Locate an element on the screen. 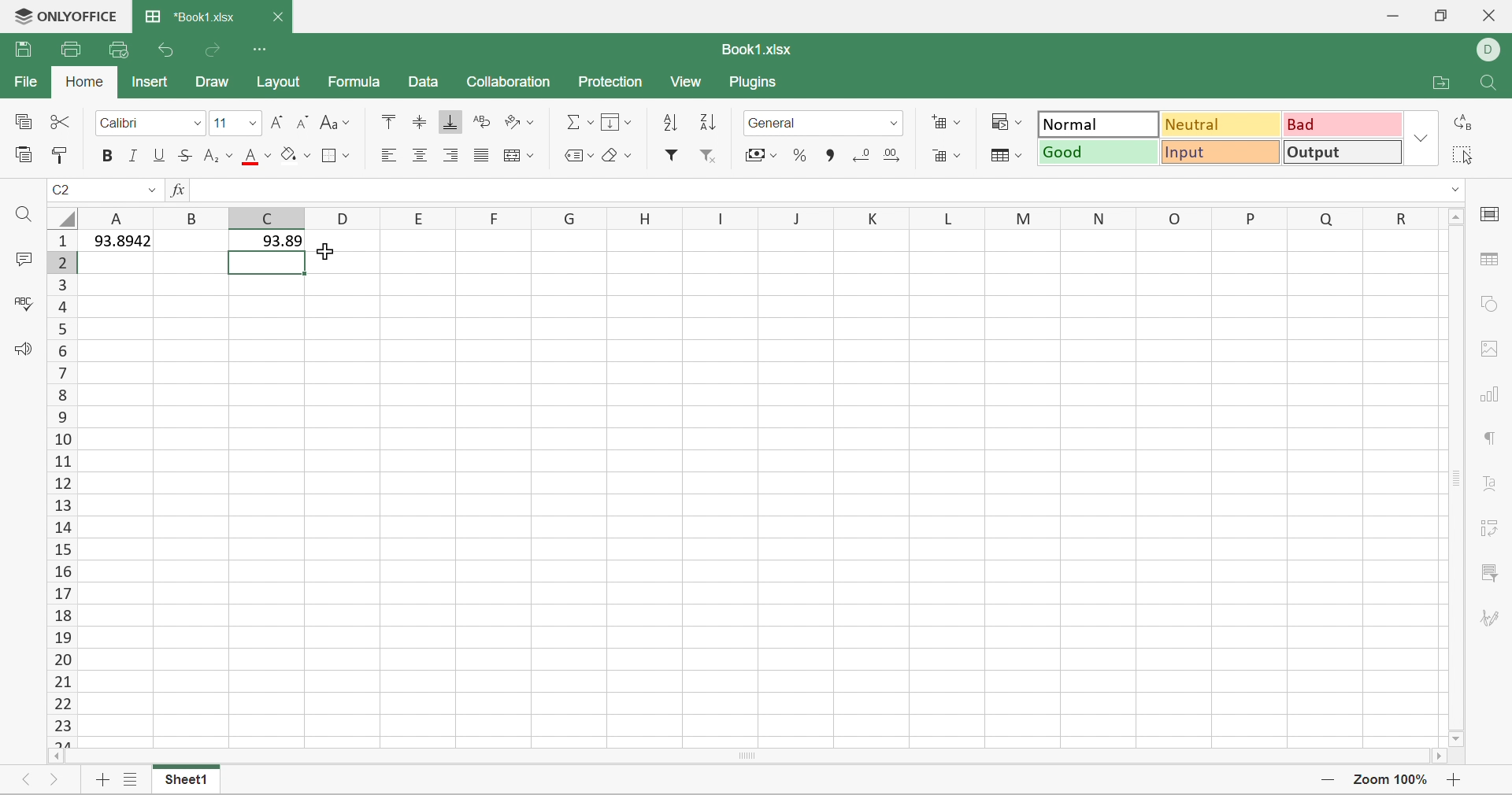 The height and width of the screenshot is (795, 1512). Text Art settings is located at coordinates (1492, 486).